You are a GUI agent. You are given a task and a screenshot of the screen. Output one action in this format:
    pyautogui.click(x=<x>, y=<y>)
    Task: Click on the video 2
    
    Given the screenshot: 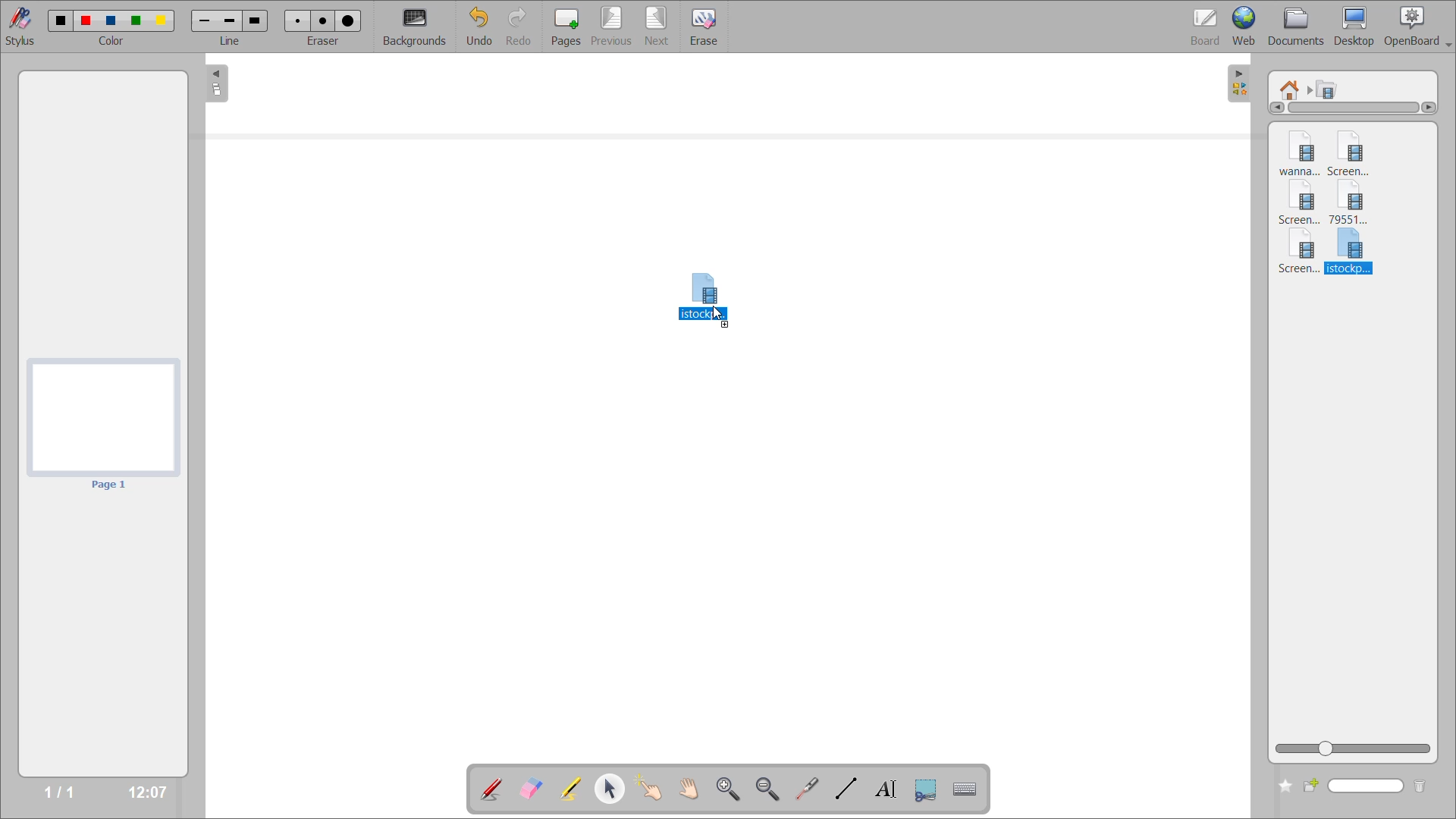 What is the action you would take?
    pyautogui.click(x=1354, y=152)
    